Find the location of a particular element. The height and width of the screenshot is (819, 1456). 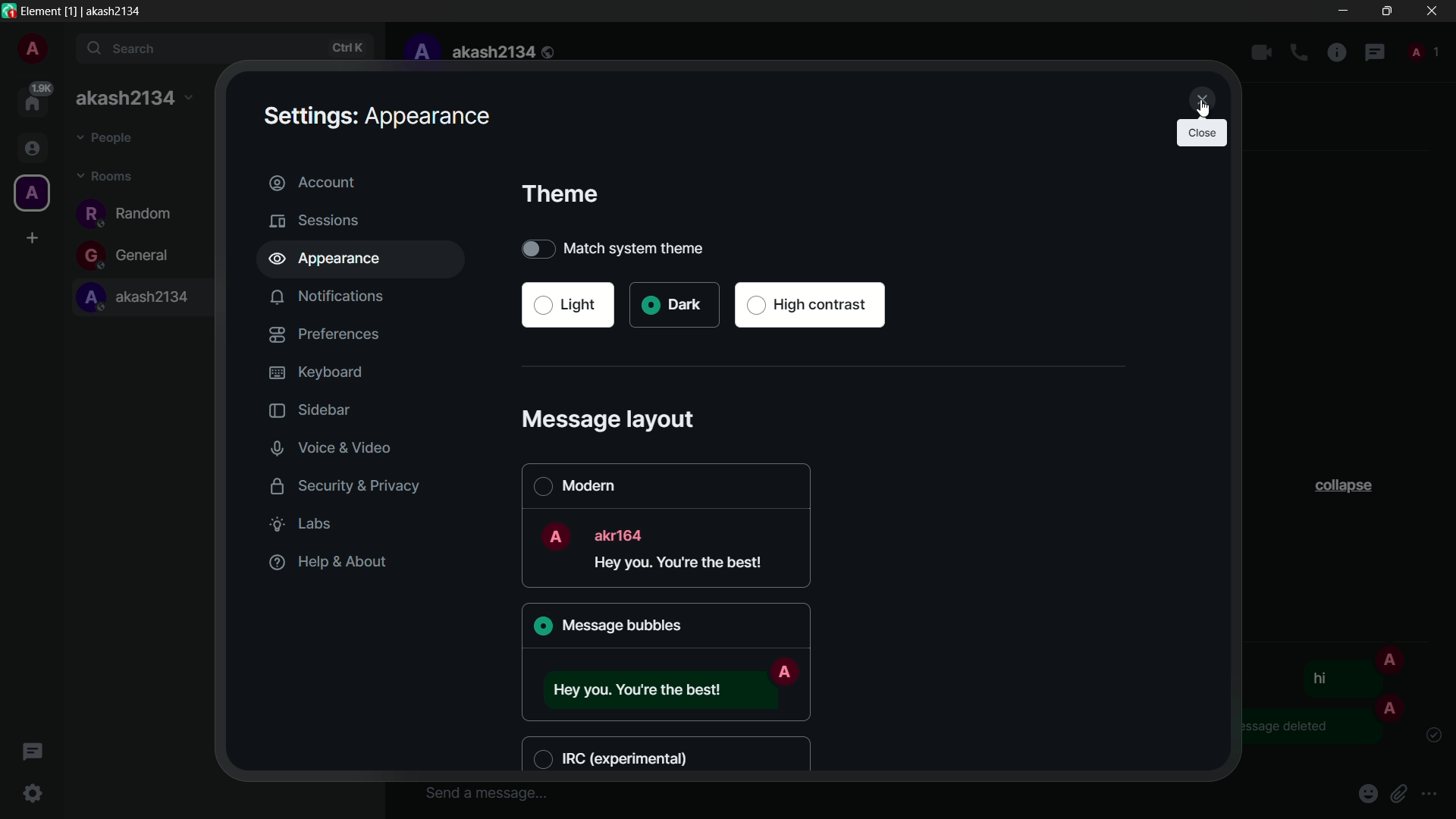

profile icon is located at coordinates (30, 193).